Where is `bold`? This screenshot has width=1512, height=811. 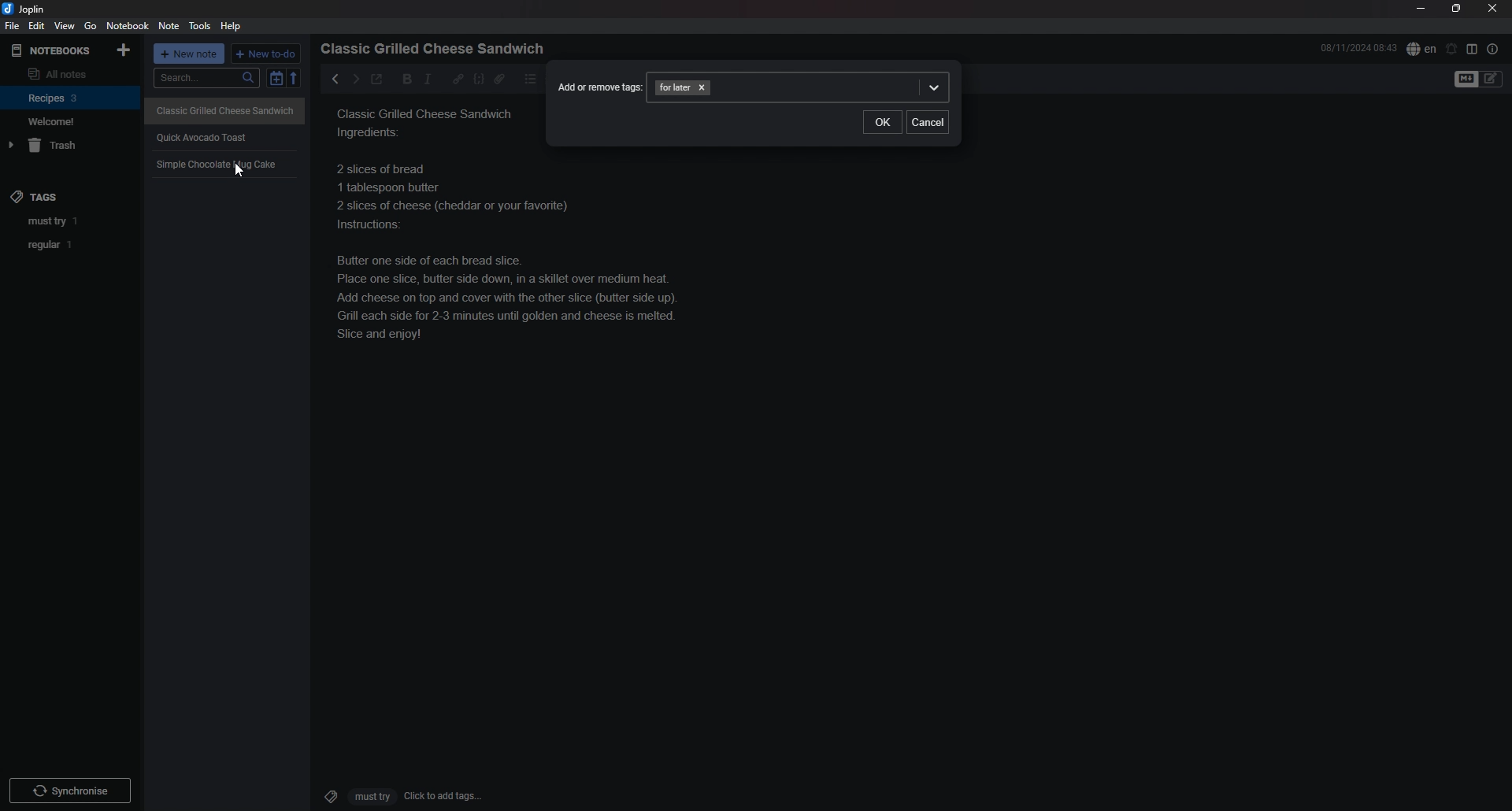
bold is located at coordinates (402, 80).